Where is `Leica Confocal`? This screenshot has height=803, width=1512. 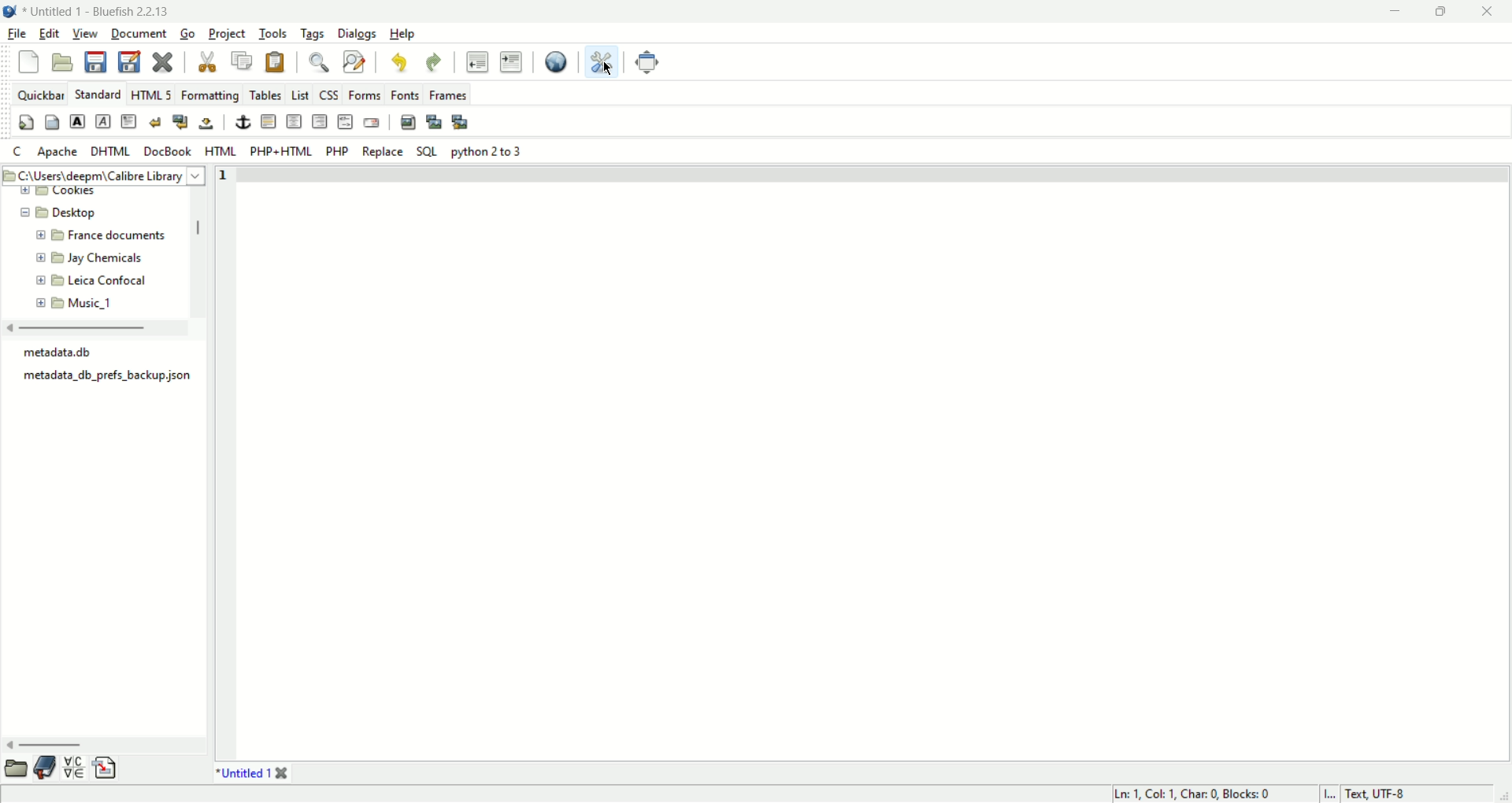
Leica Confocal is located at coordinates (113, 282).